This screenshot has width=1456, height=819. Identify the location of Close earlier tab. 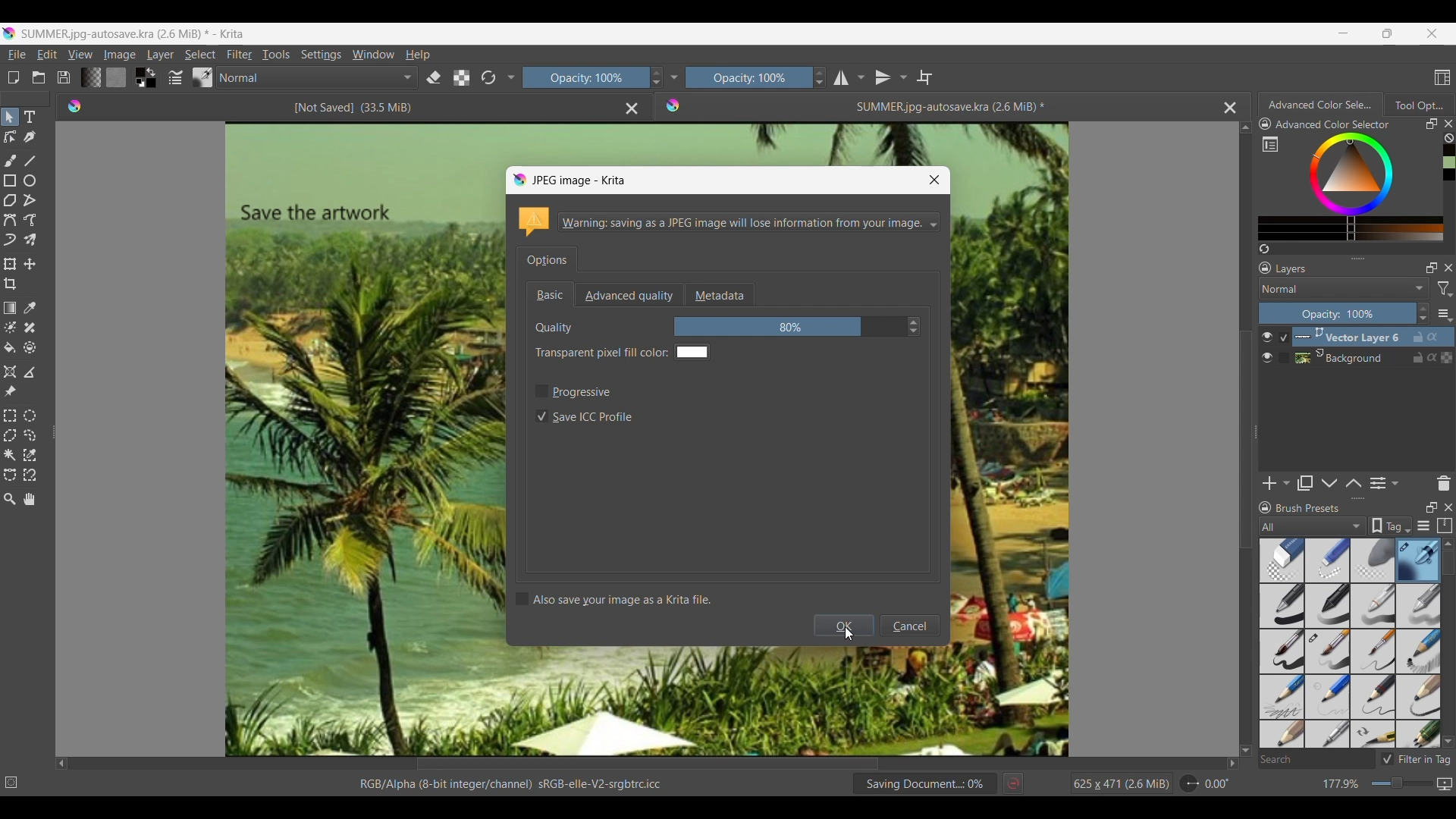
(632, 109).